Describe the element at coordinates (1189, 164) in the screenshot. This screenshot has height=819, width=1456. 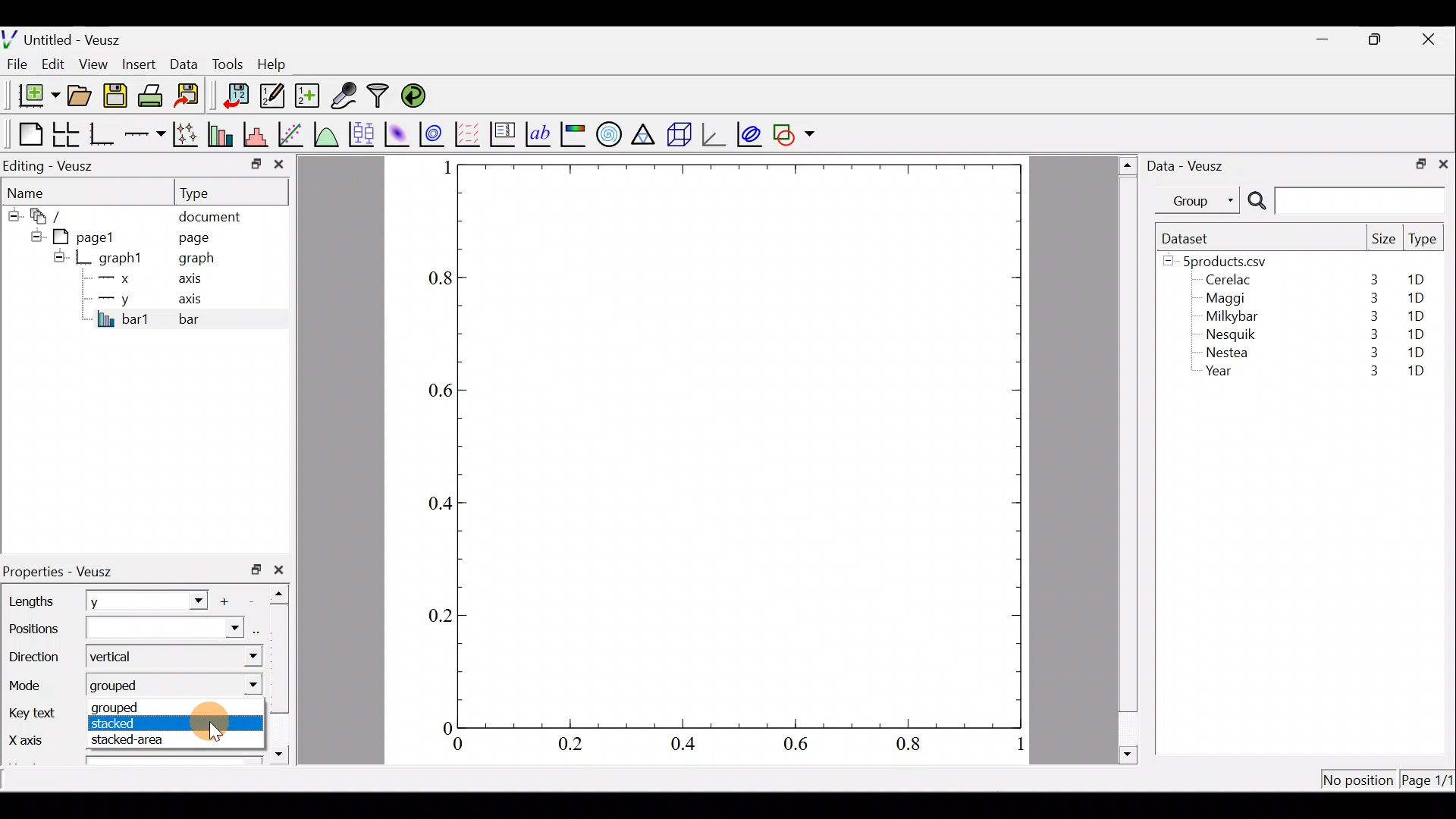
I see `Data - Veusz` at that location.